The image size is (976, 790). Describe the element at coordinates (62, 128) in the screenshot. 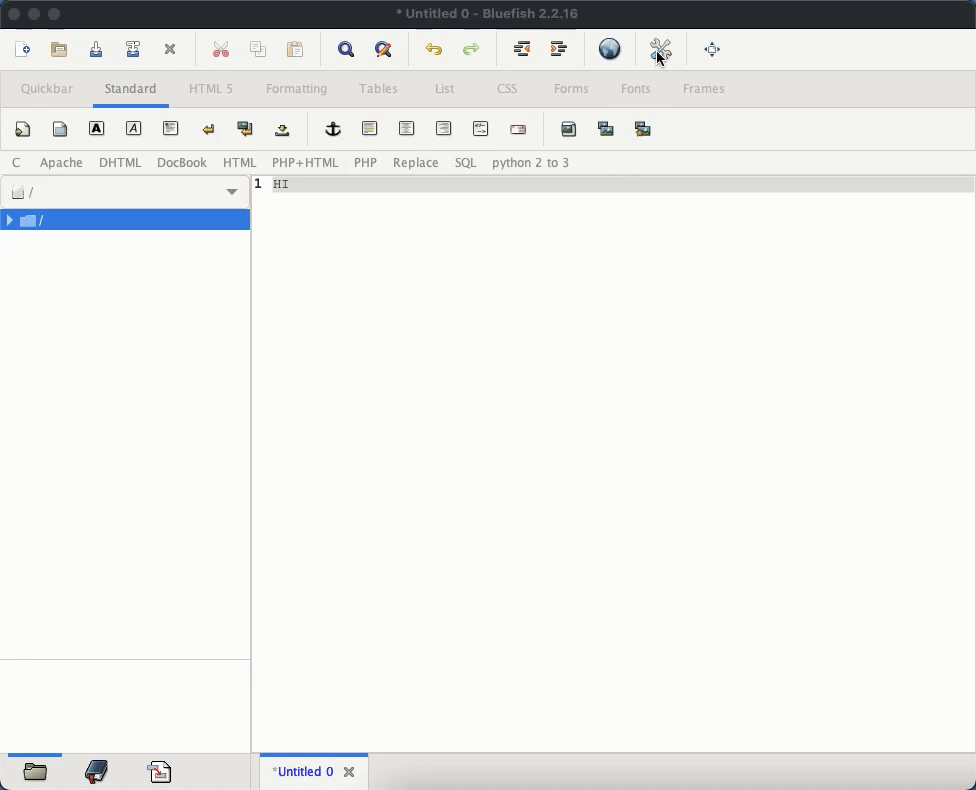

I see `body` at that location.